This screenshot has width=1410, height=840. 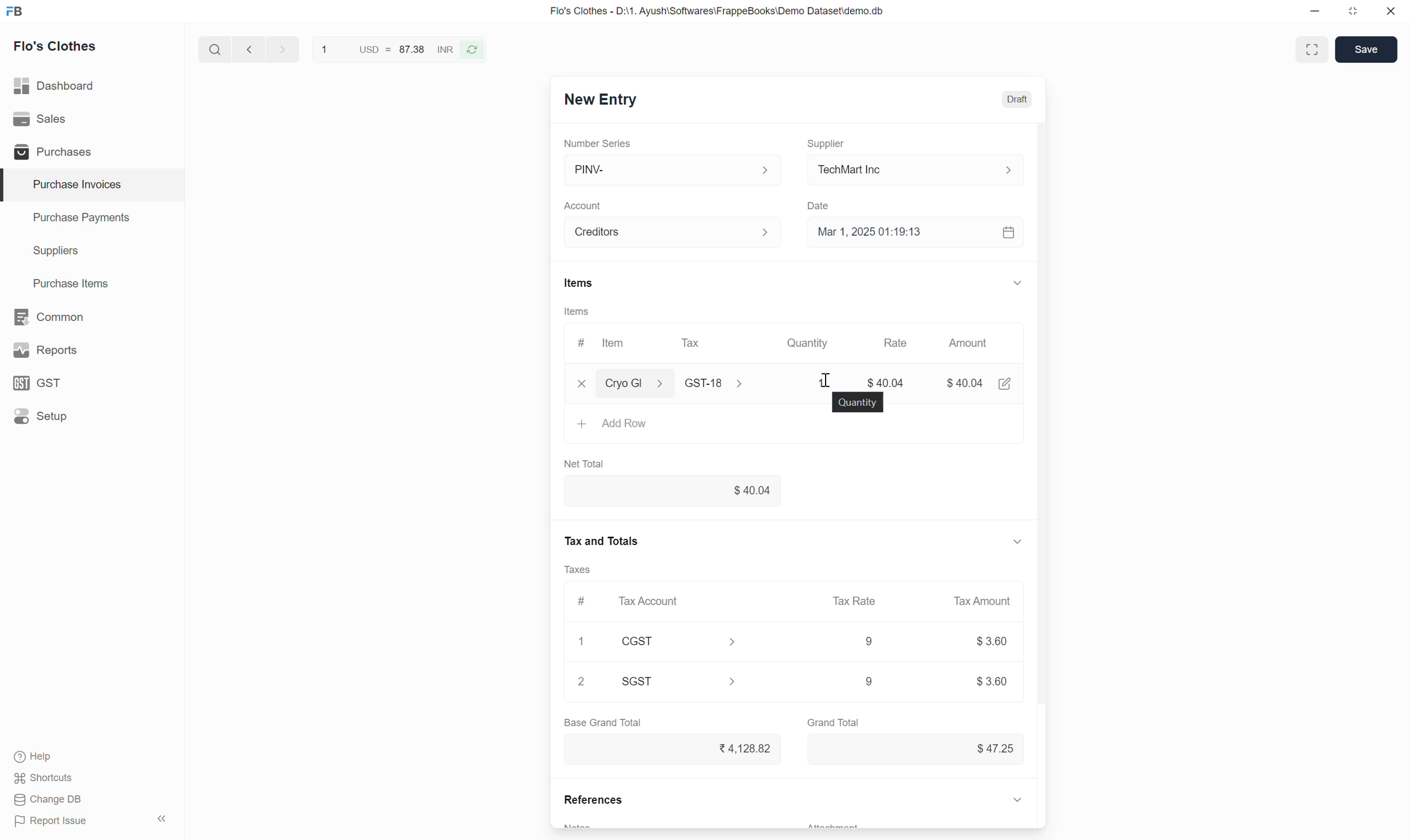 What do you see at coordinates (213, 47) in the screenshot?
I see `search` at bounding box center [213, 47].